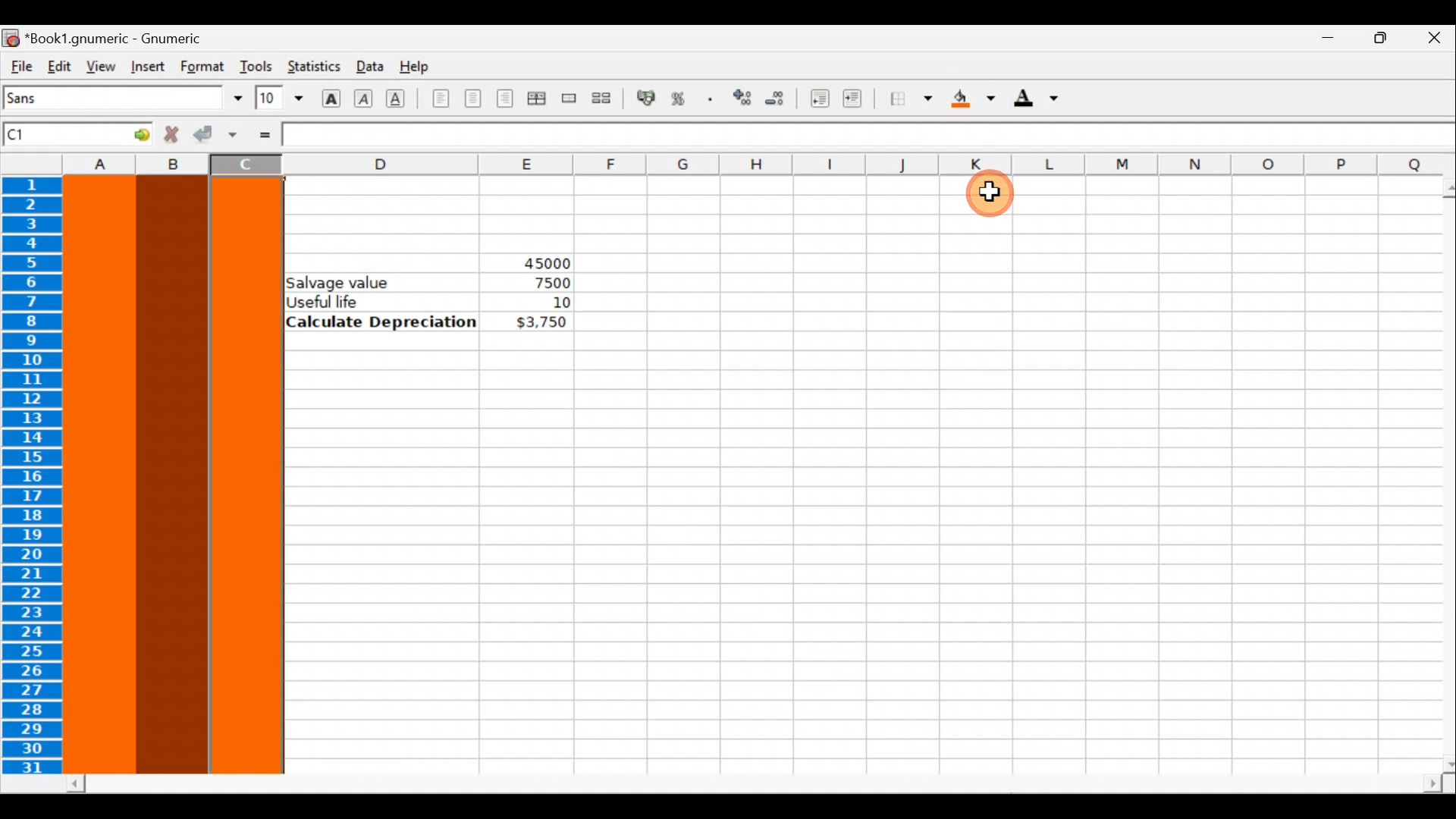 This screenshot has height=819, width=1456. What do you see at coordinates (541, 303) in the screenshot?
I see `10` at bounding box center [541, 303].